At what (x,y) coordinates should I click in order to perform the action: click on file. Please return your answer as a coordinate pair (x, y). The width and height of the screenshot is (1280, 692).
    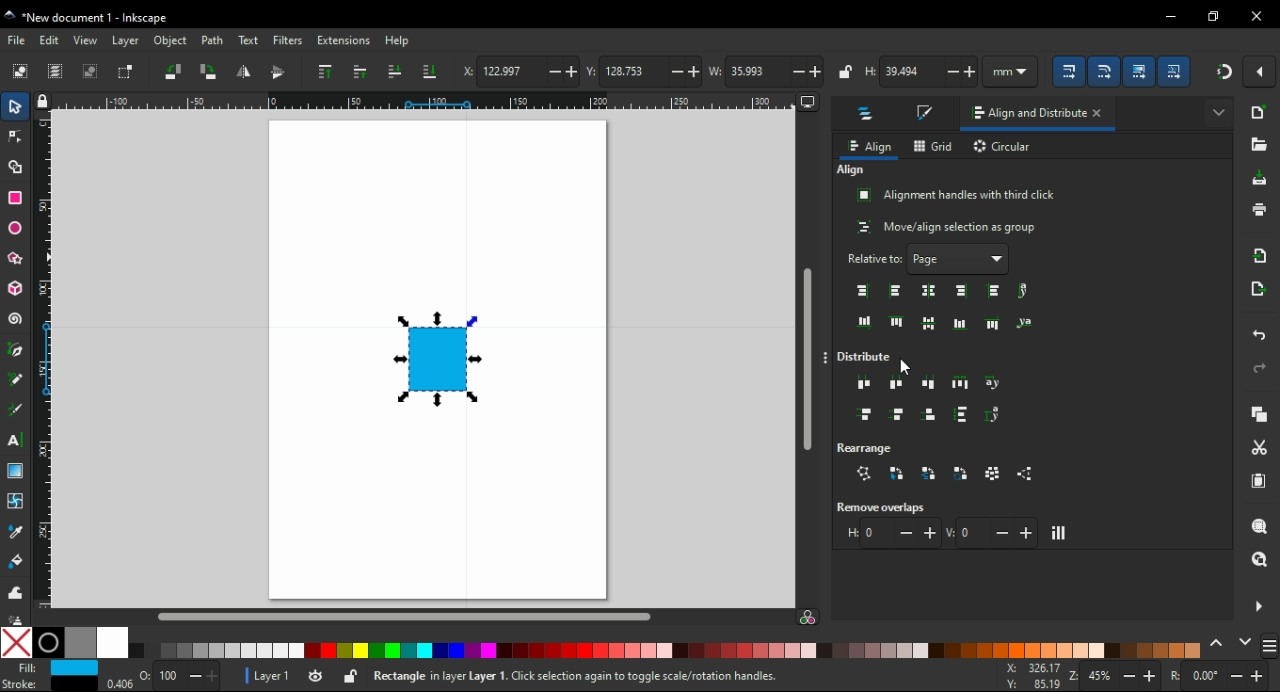
    Looking at the image, I should click on (18, 40).